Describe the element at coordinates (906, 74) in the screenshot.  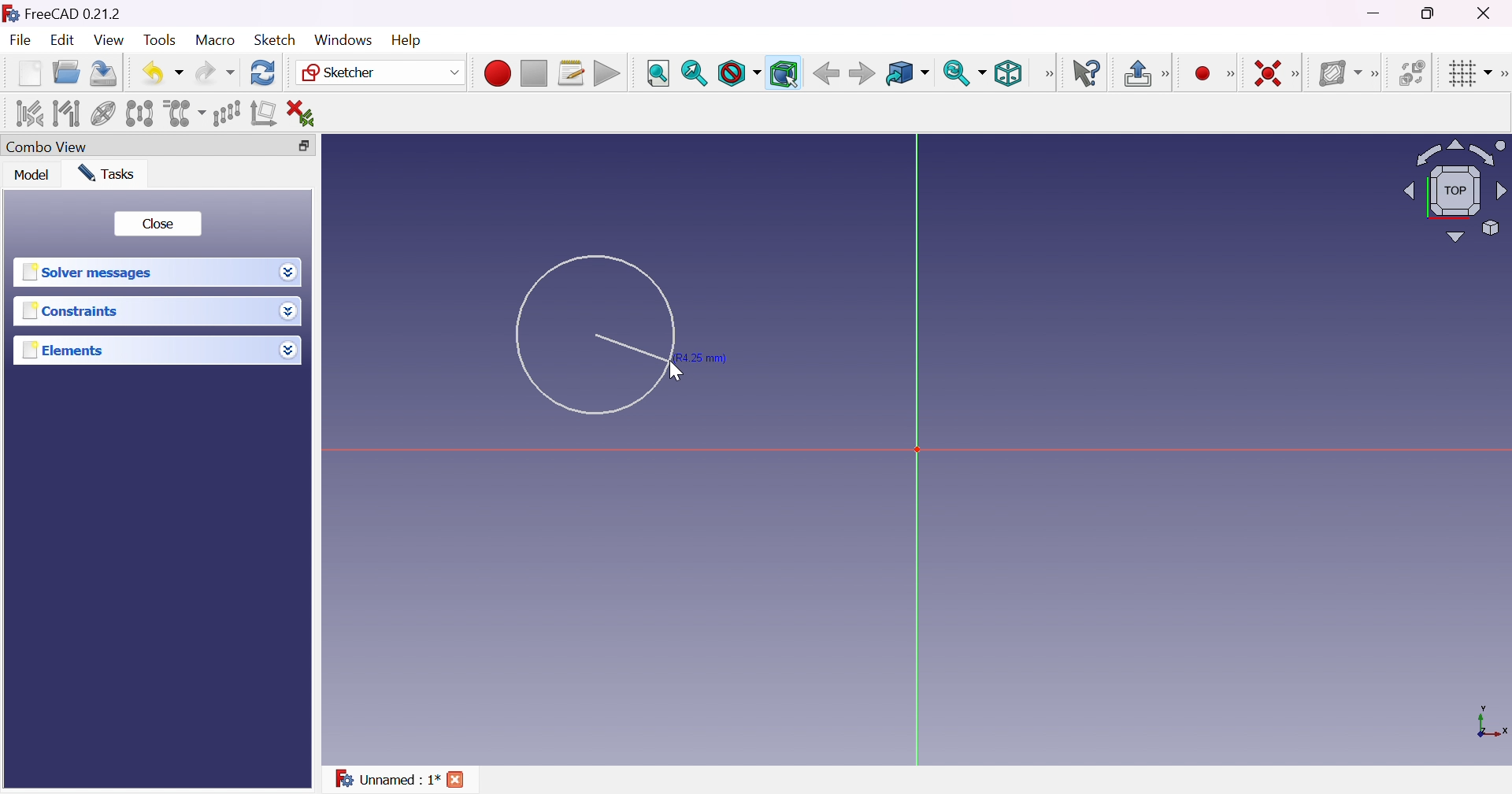
I see `Go to linked object` at that location.